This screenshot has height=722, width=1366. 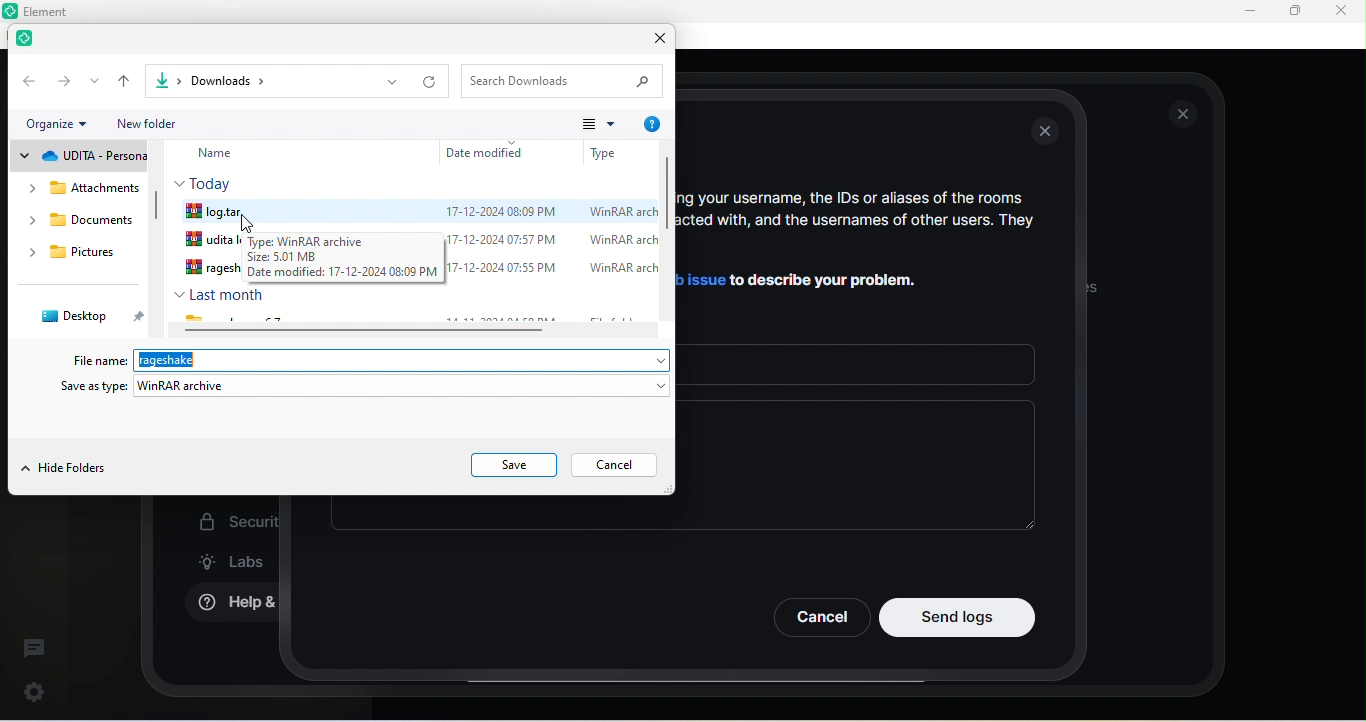 What do you see at coordinates (667, 236) in the screenshot?
I see `vertical scroll bar` at bounding box center [667, 236].